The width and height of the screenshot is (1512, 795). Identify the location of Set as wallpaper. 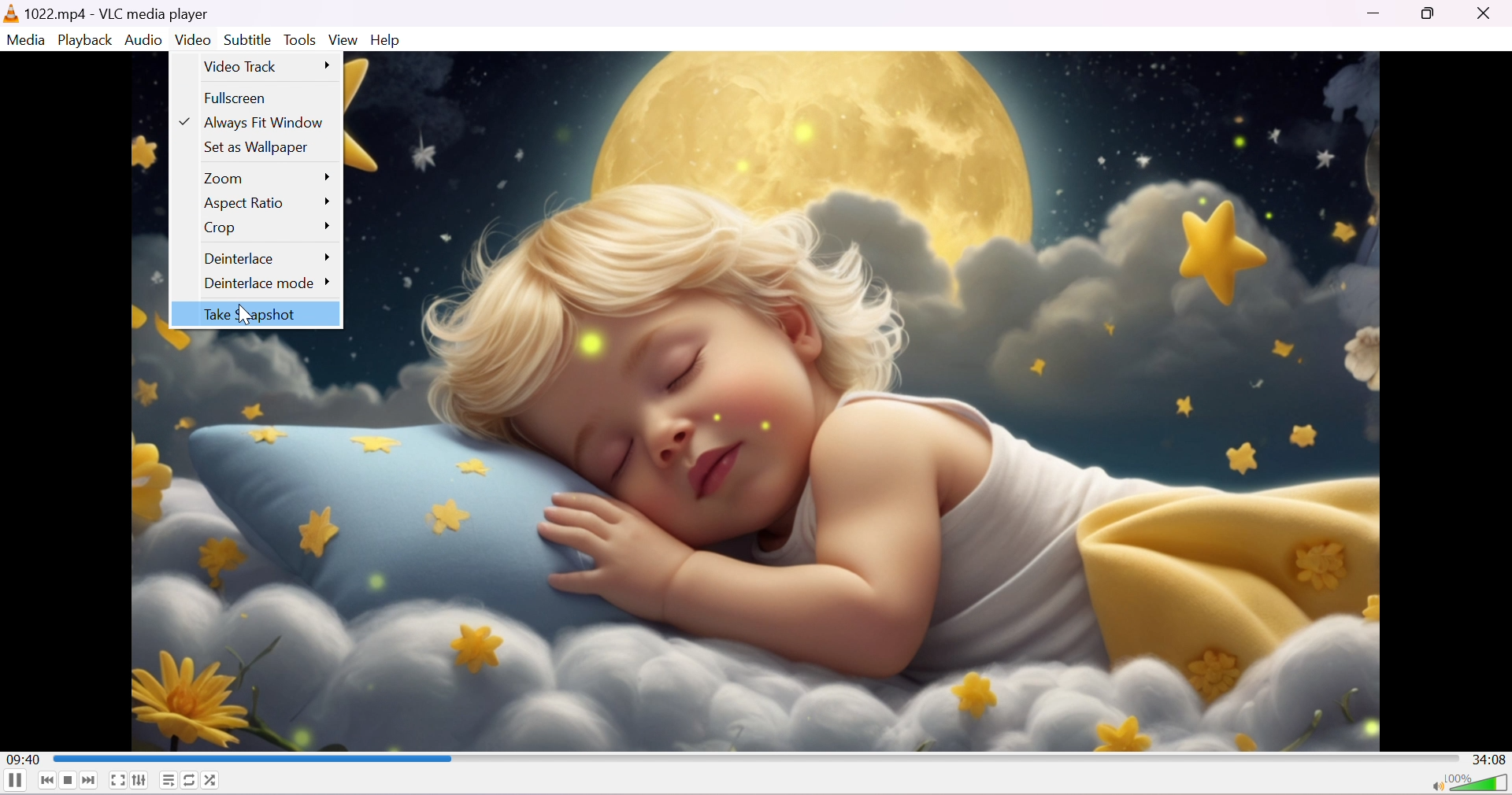
(254, 149).